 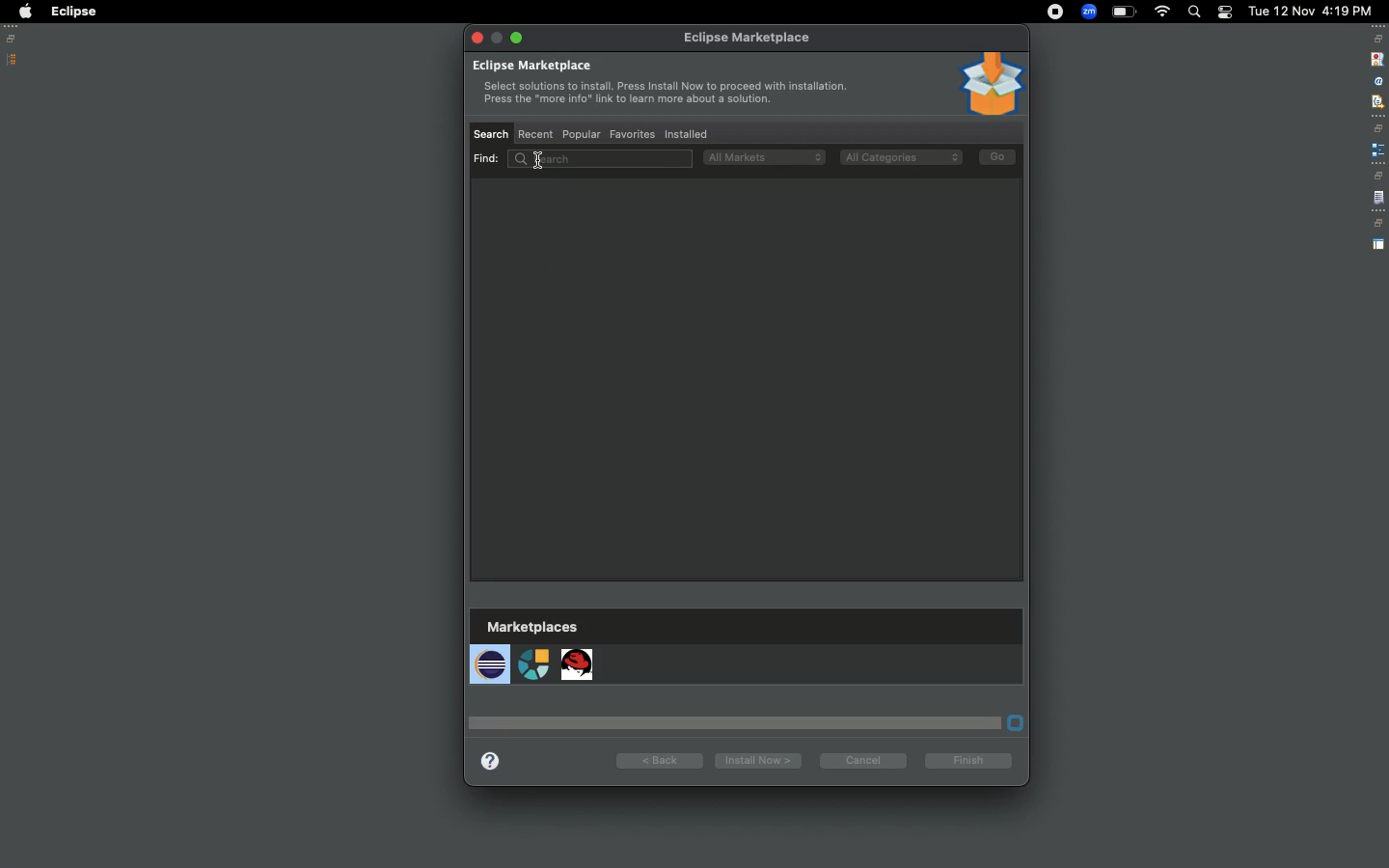 I want to click on Apple logo, so click(x=24, y=12).